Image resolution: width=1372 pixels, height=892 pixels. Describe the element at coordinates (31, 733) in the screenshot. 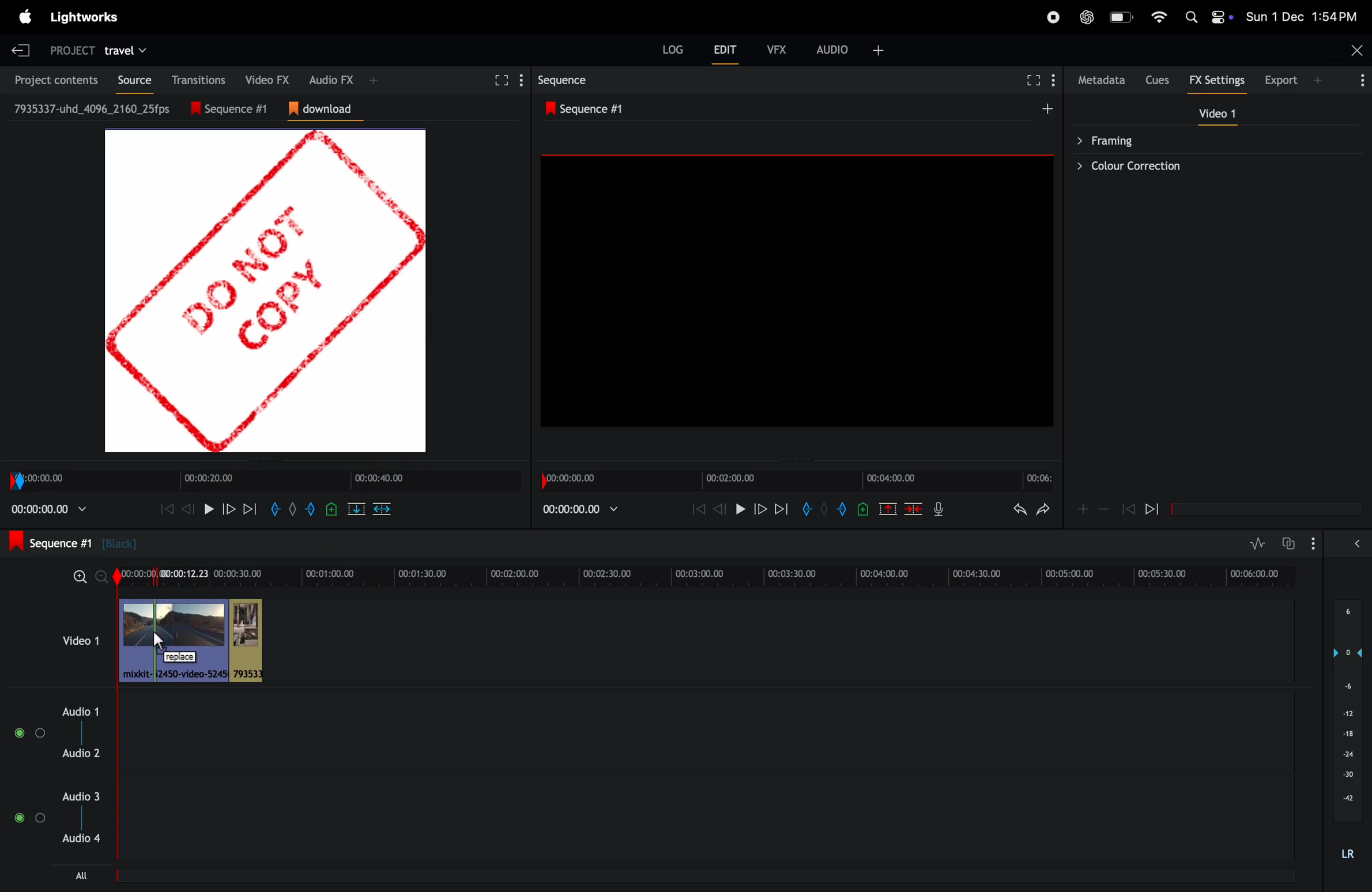

I see `bars` at that location.